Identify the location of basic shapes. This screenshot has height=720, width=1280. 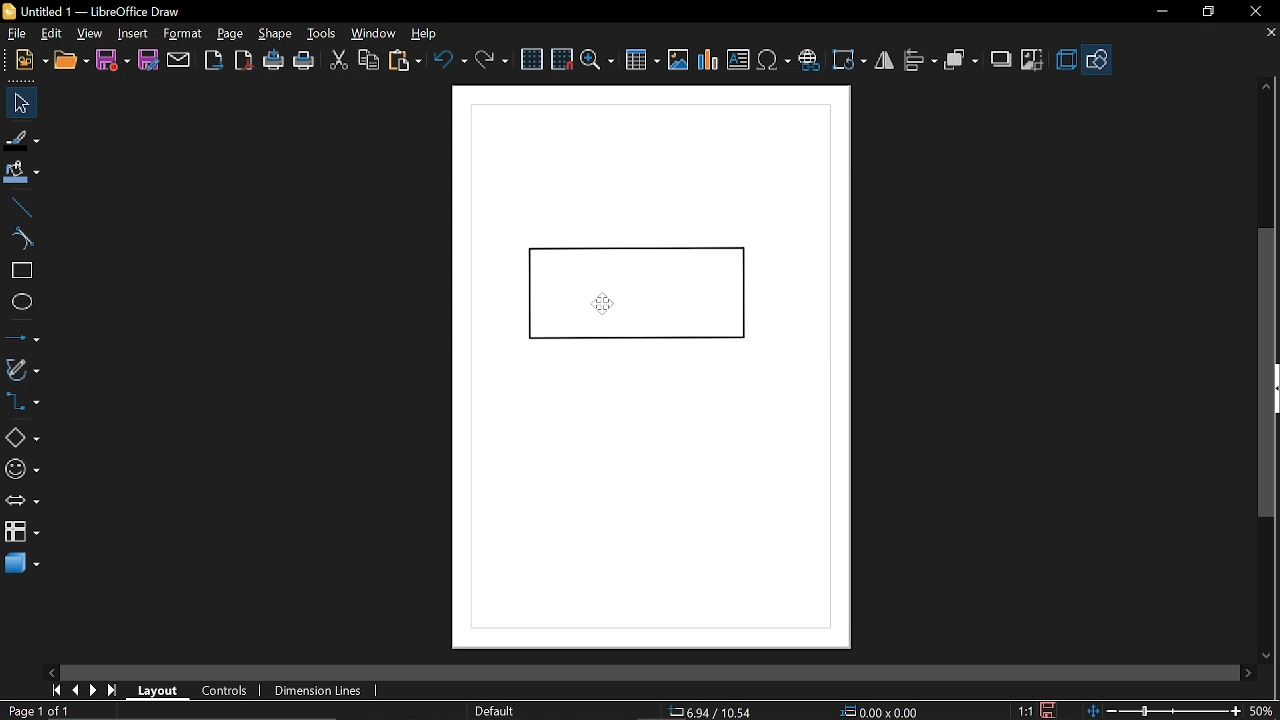
(20, 440).